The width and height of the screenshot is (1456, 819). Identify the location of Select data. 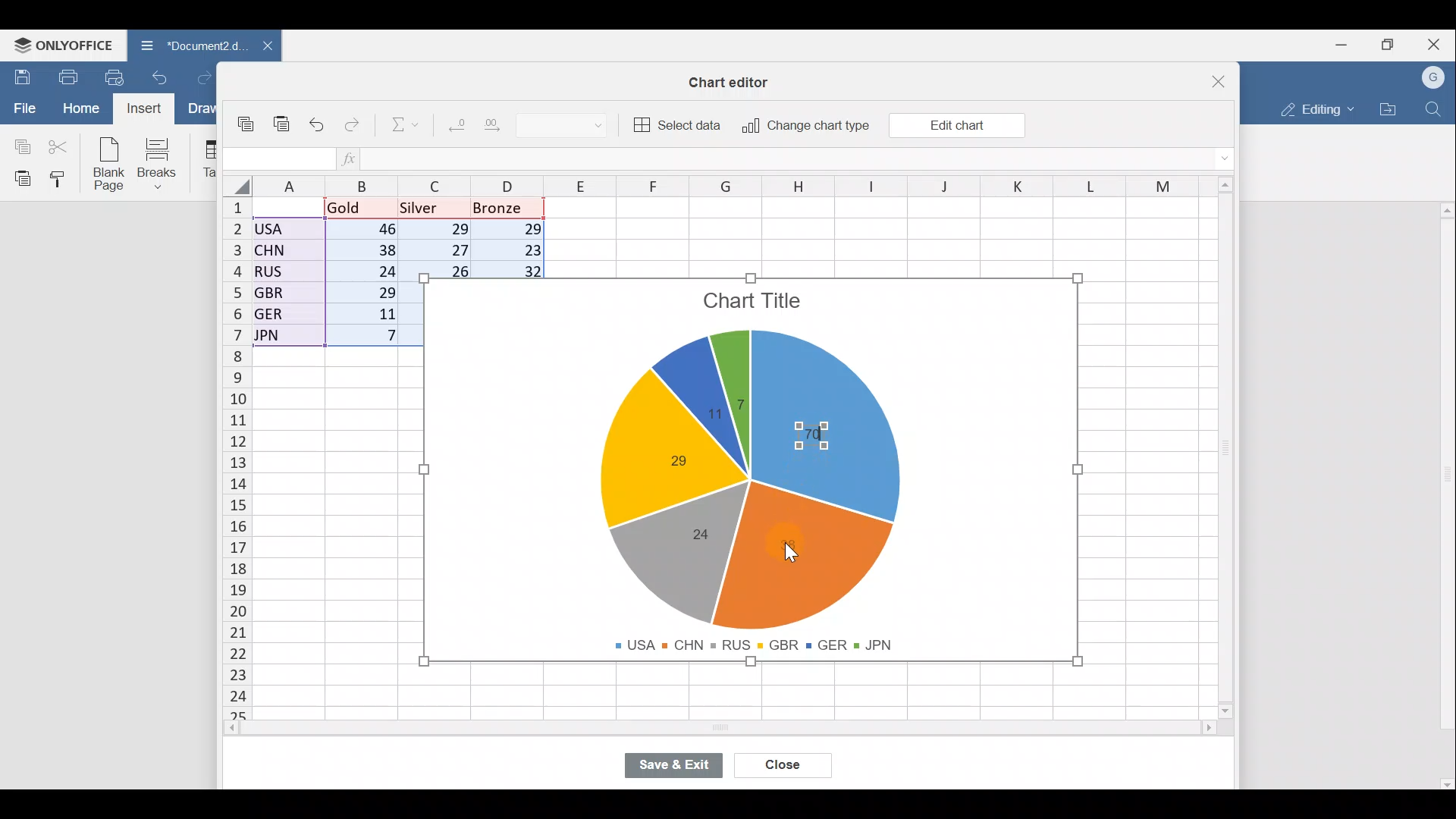
(676, 123).